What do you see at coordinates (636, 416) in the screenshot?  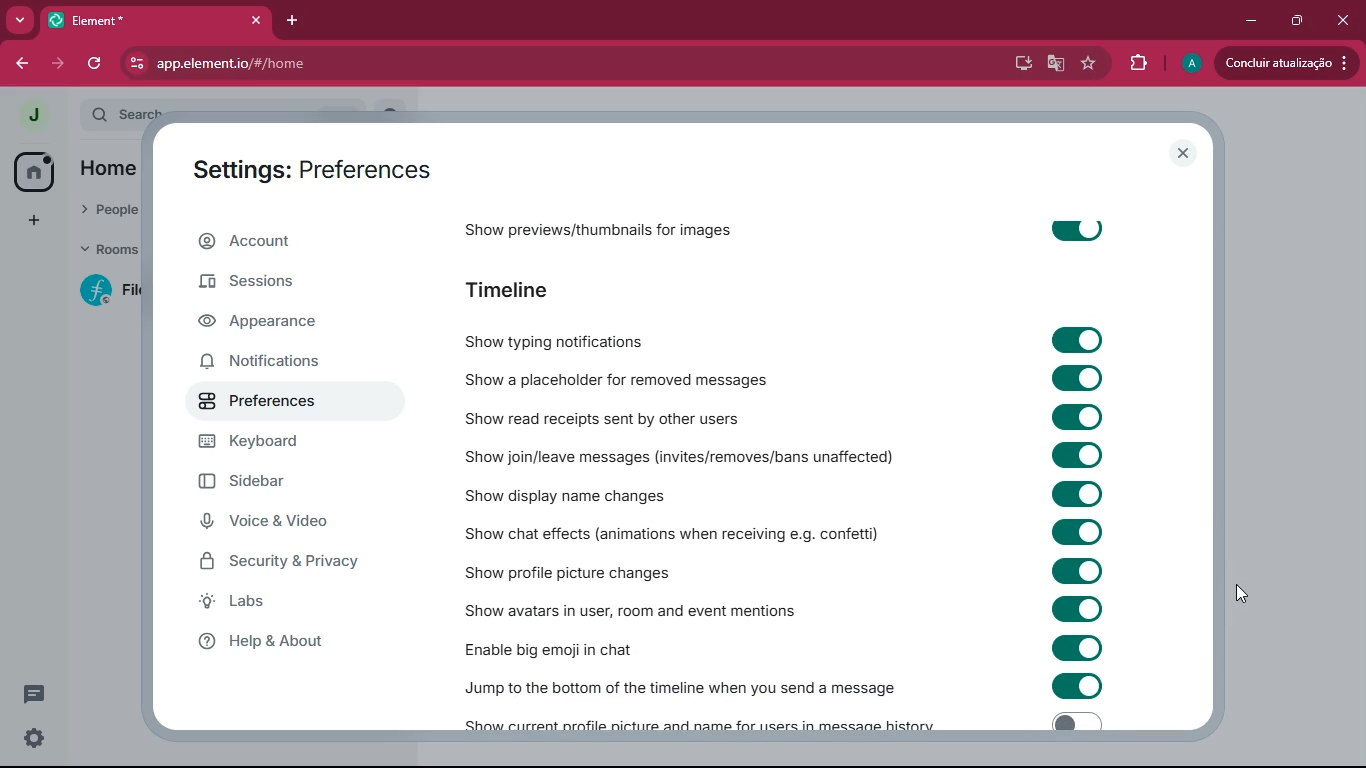 I see `show read receipts sent by other users` at bounding box center [636, 416].